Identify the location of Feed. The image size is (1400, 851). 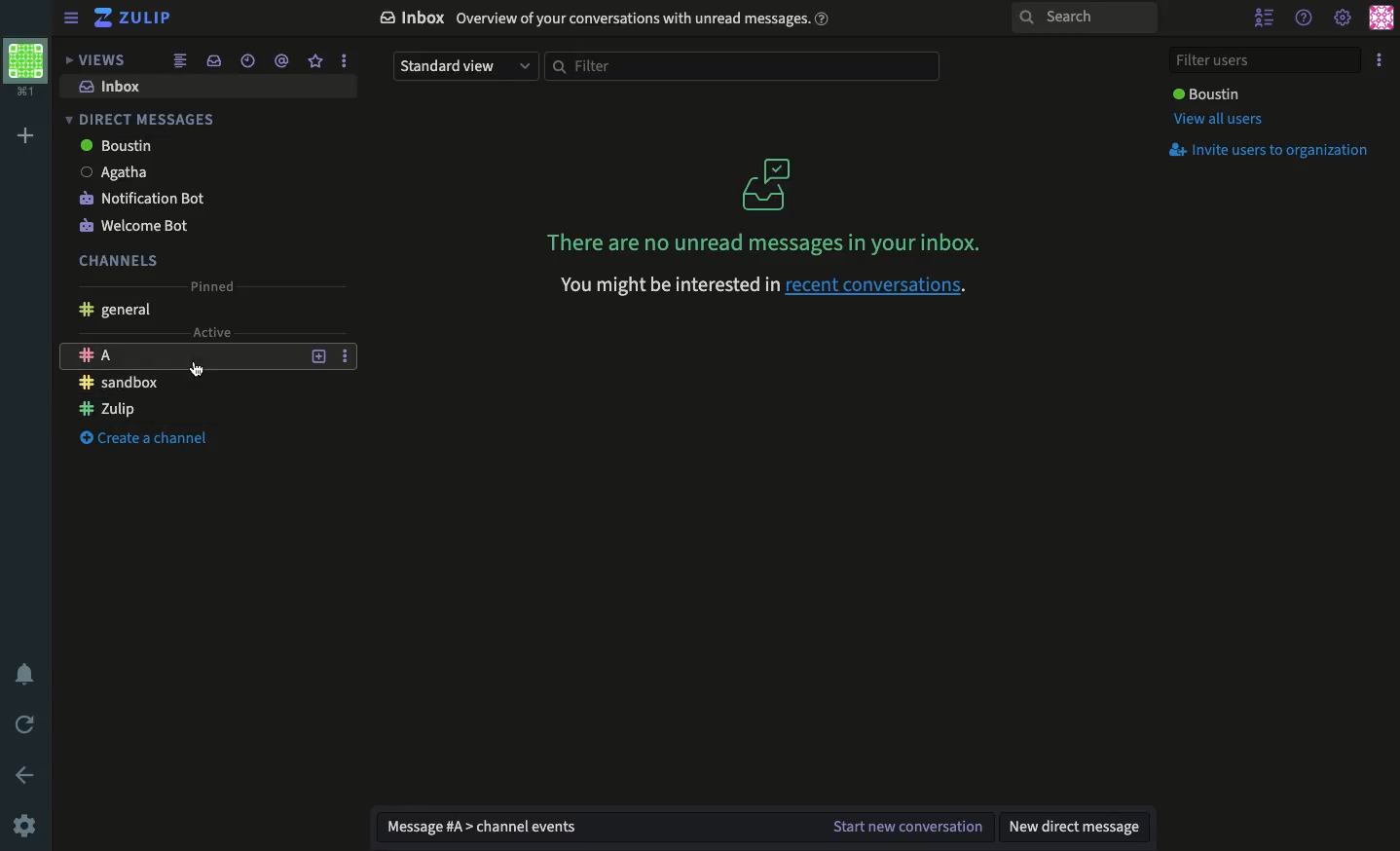
(176, 61).